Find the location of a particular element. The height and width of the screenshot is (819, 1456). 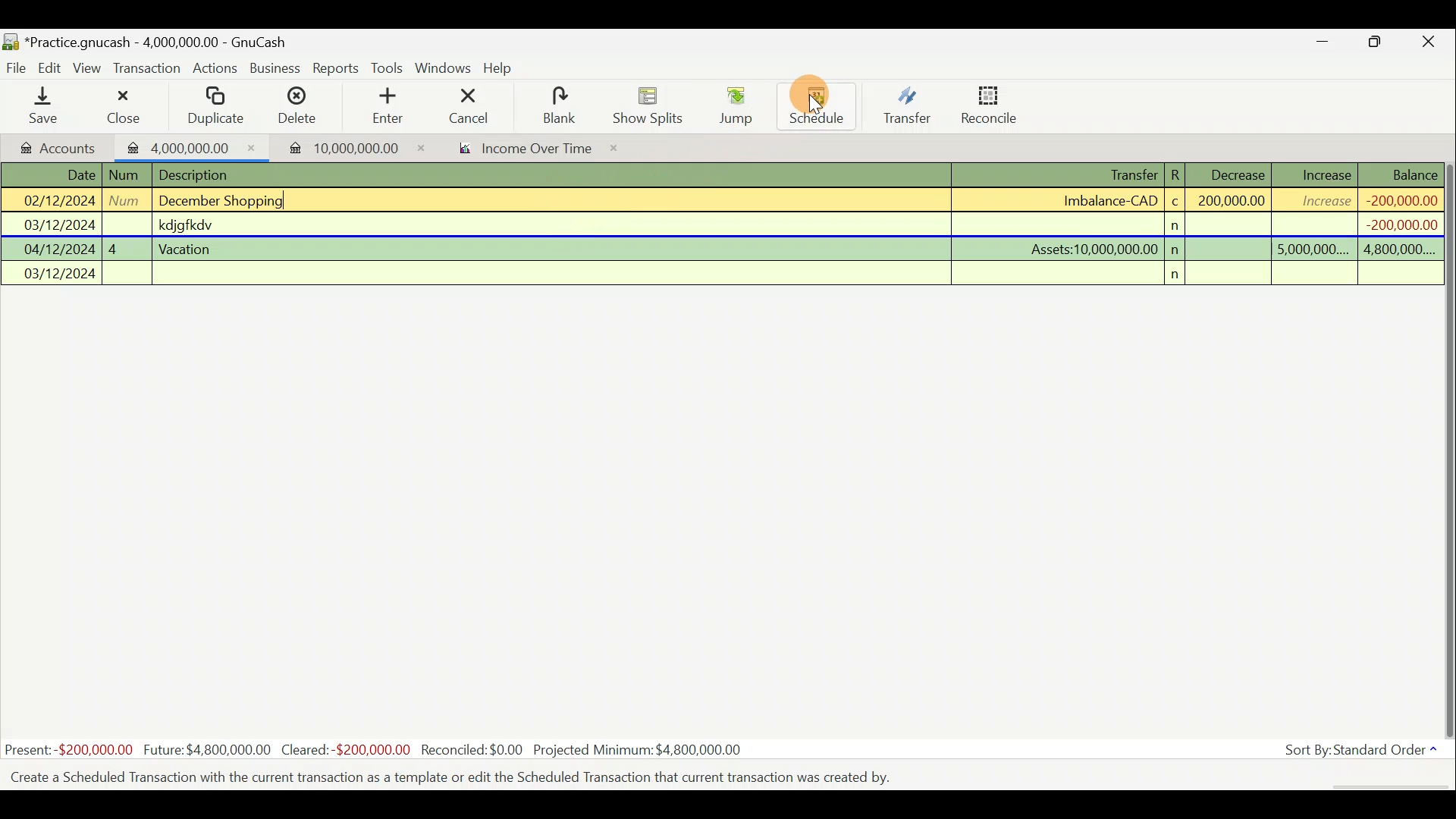

Statistics is located at coordinates (376, 750).